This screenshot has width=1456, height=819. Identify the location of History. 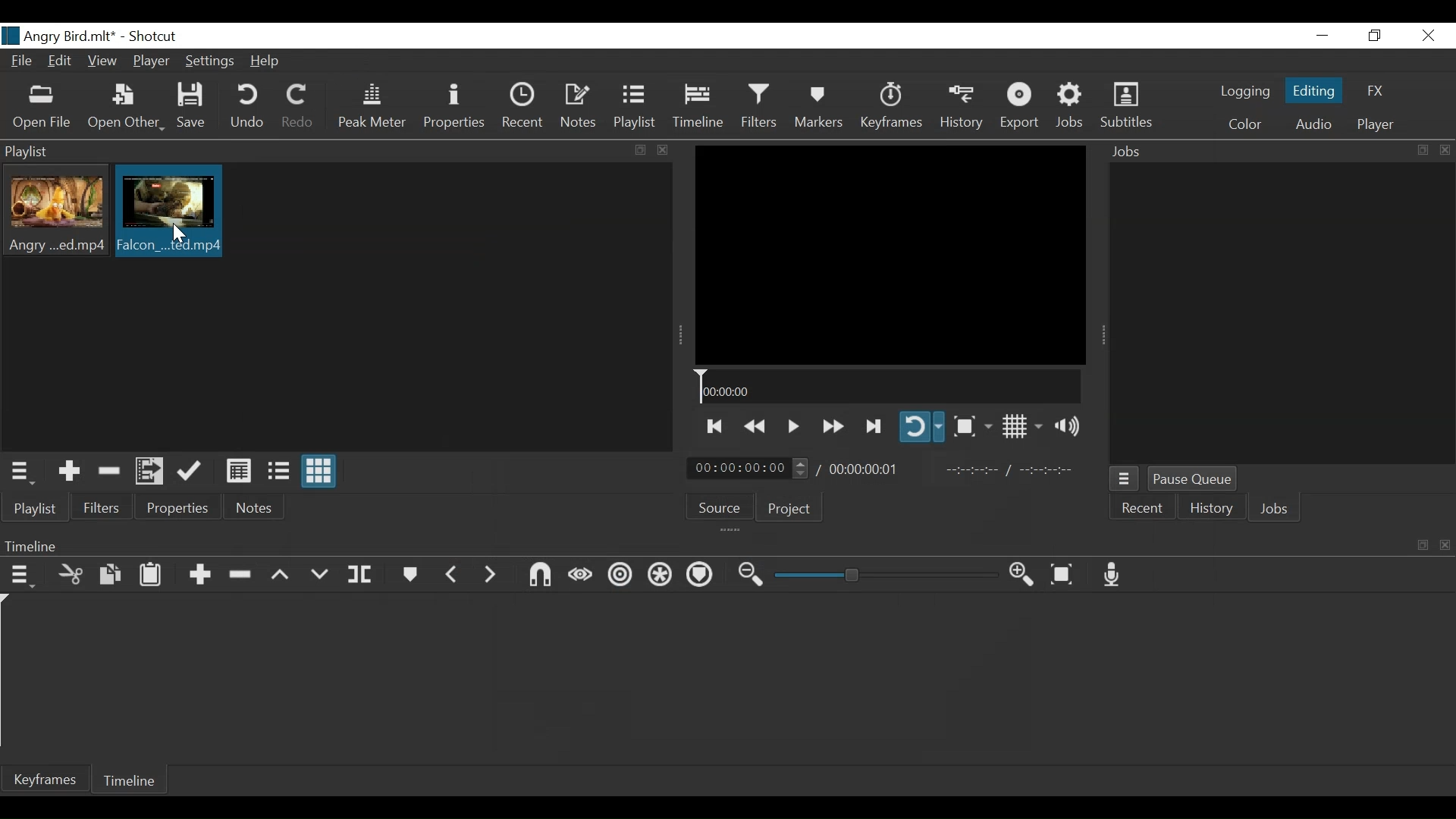
(1212, 510).